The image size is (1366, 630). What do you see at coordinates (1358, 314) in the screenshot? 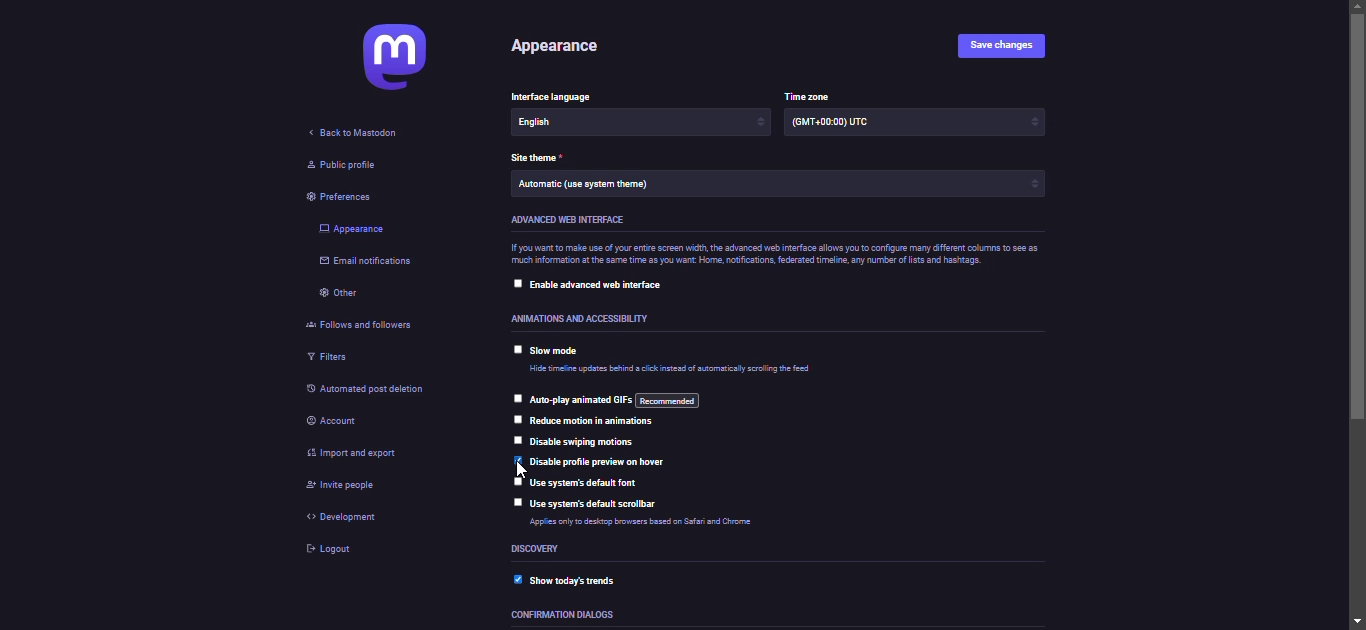
I see `scroll bar` at bounding box center [1358, 314].